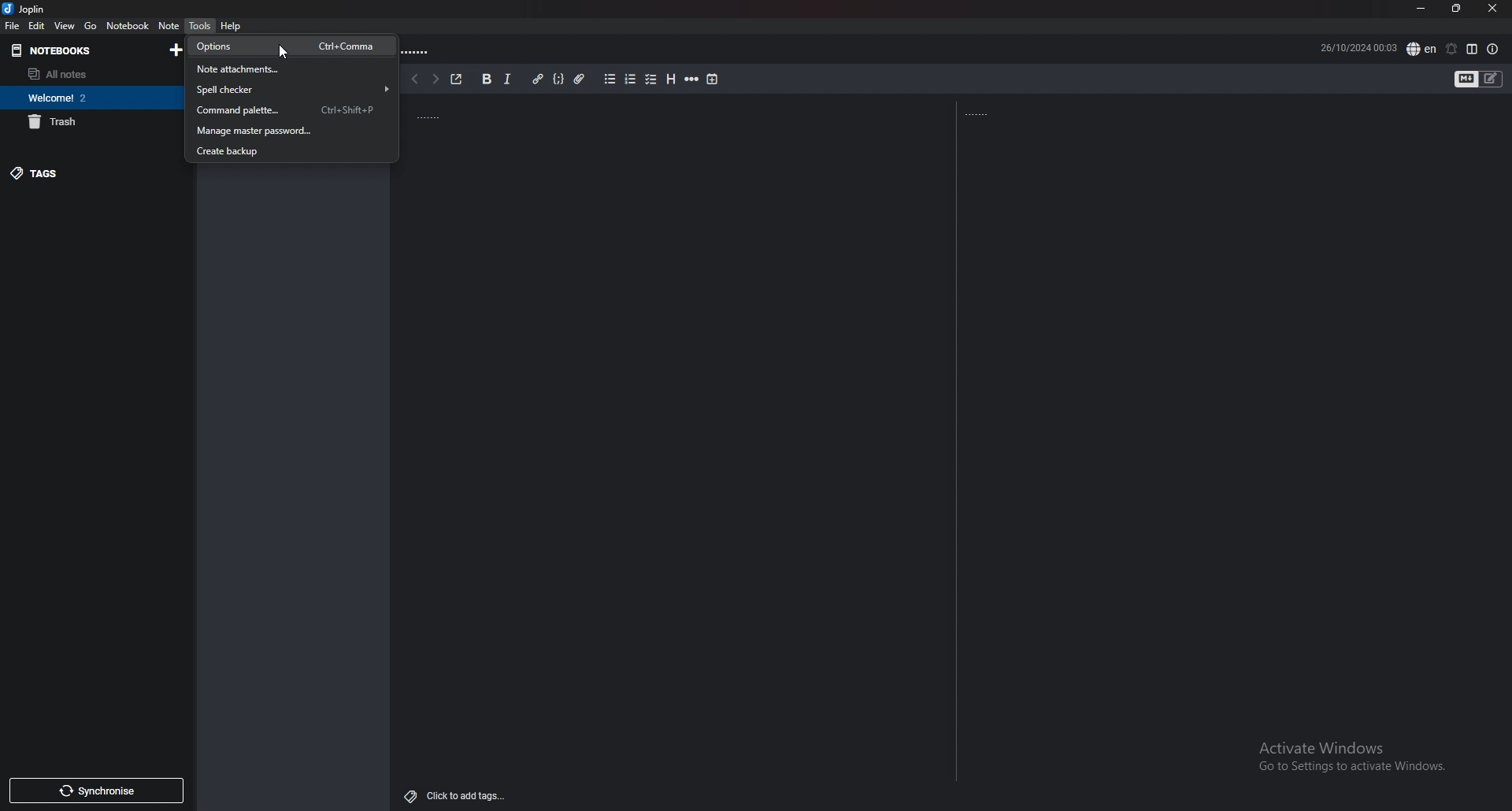 Image resolution: width=1512 pixels, height=811 pixels. I want to click on notebooks, so click(75, 50).